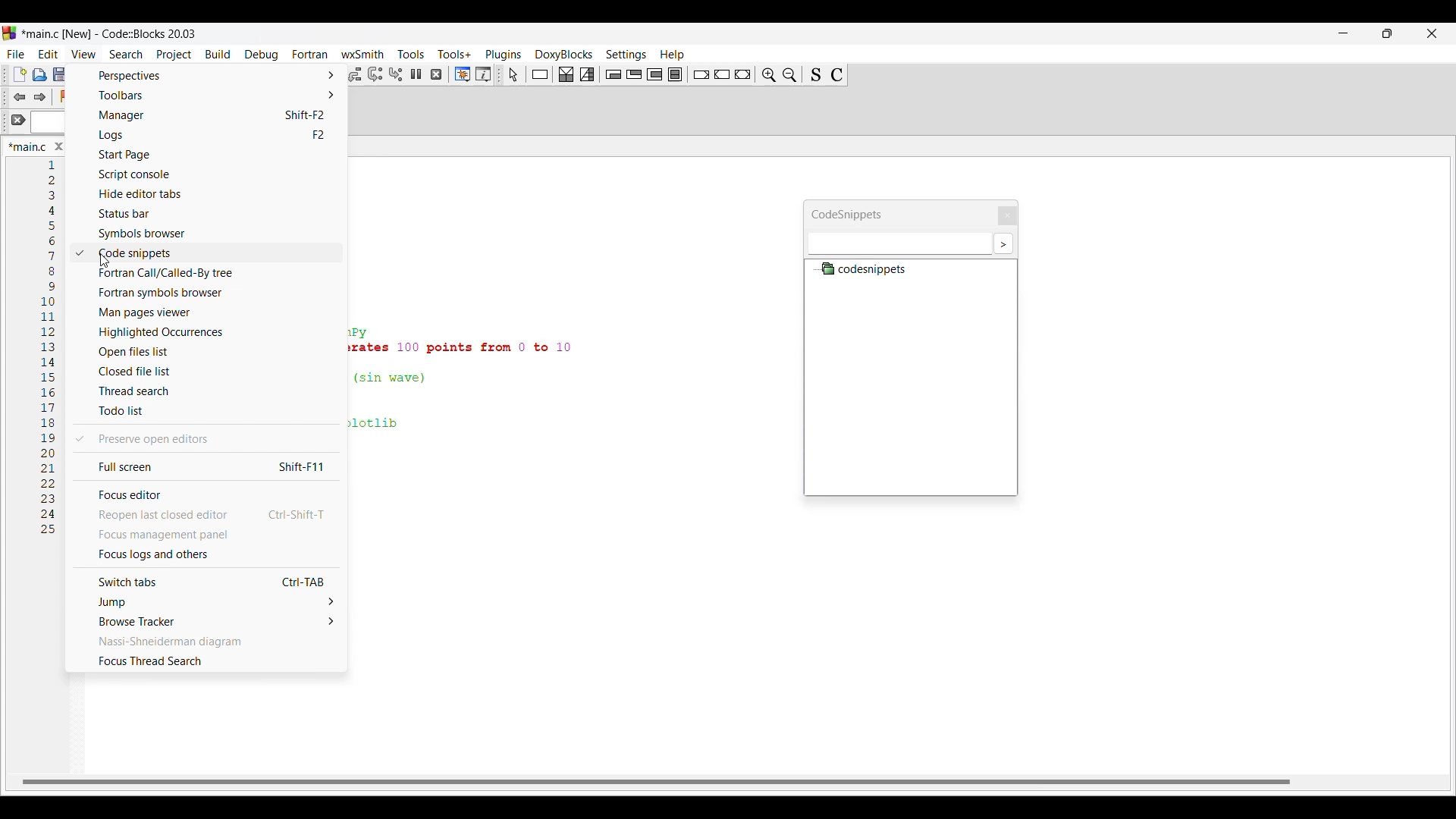  What do you see at coordinates (207, 515) in the screenshot?
I see `Reopen last closed editor` at bounding box center [207, 515].